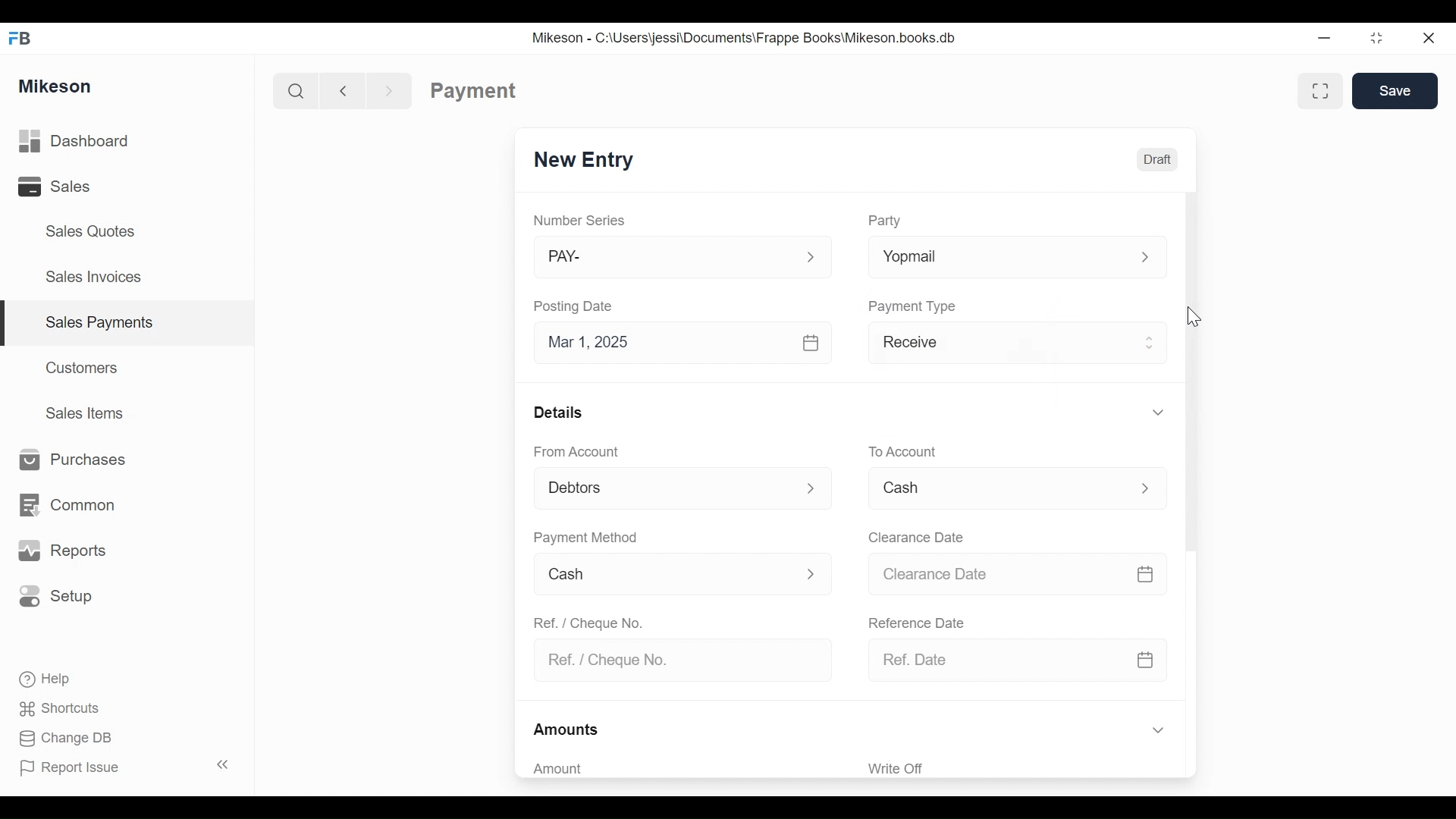 The image size is (1456, 819). What do you see at coordinates (685, 489) in the screenshot?
I see `From Account` at bounding box center [685, 489].